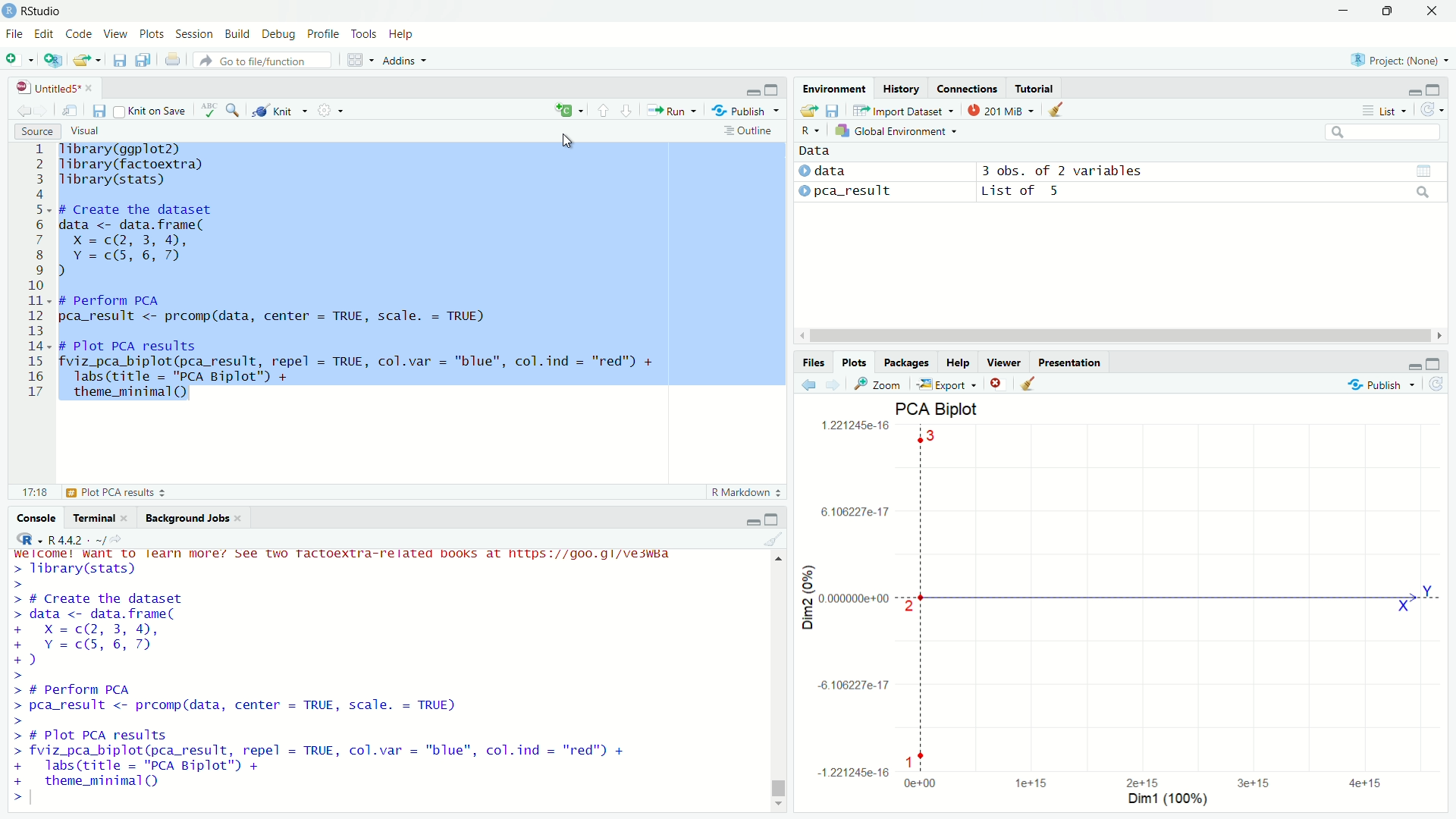  Describe the element at coordinates (880, 384) in the screenshot. I see `zoom` at that location.